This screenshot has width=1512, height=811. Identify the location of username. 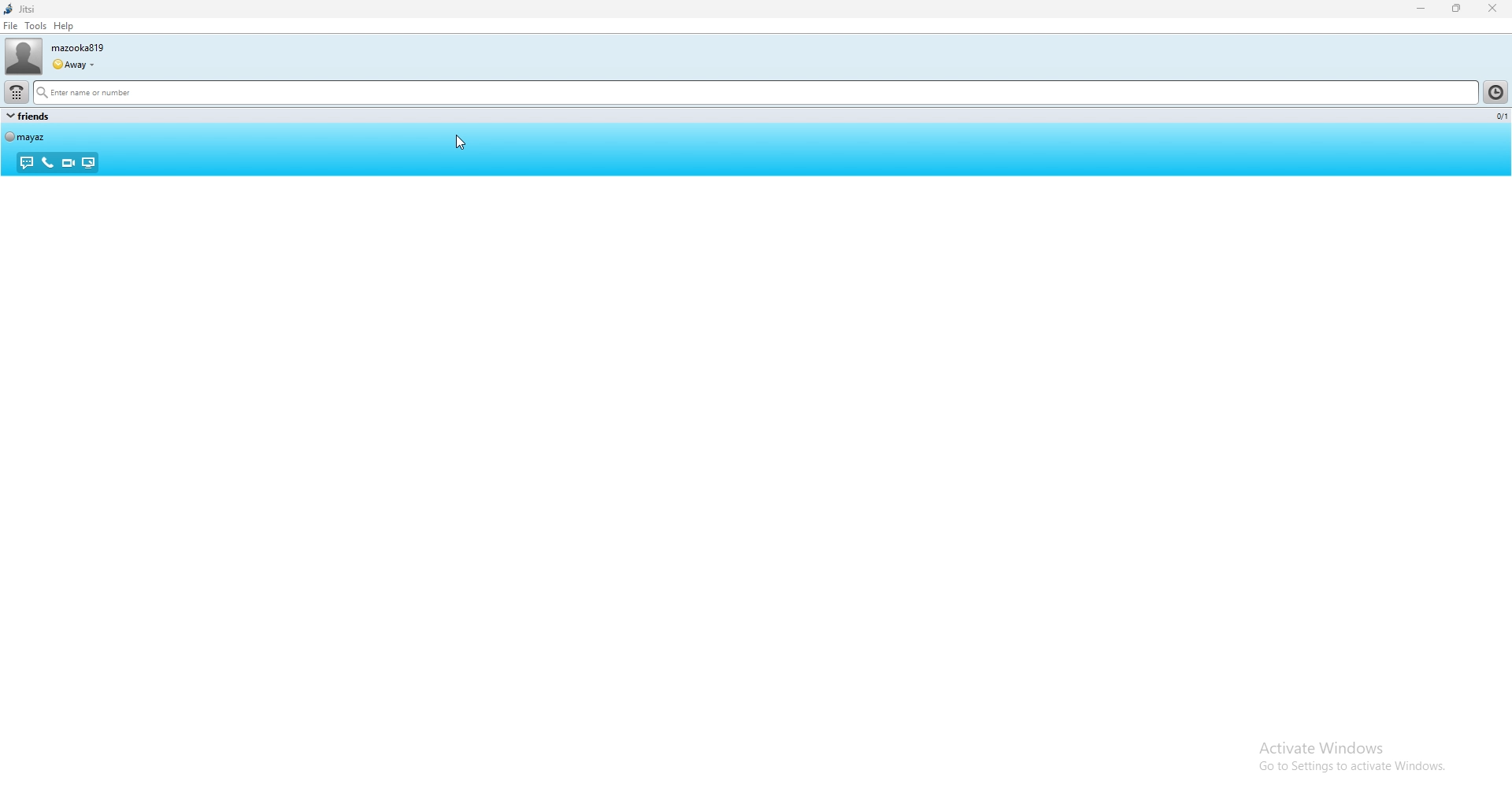
(77, 48).